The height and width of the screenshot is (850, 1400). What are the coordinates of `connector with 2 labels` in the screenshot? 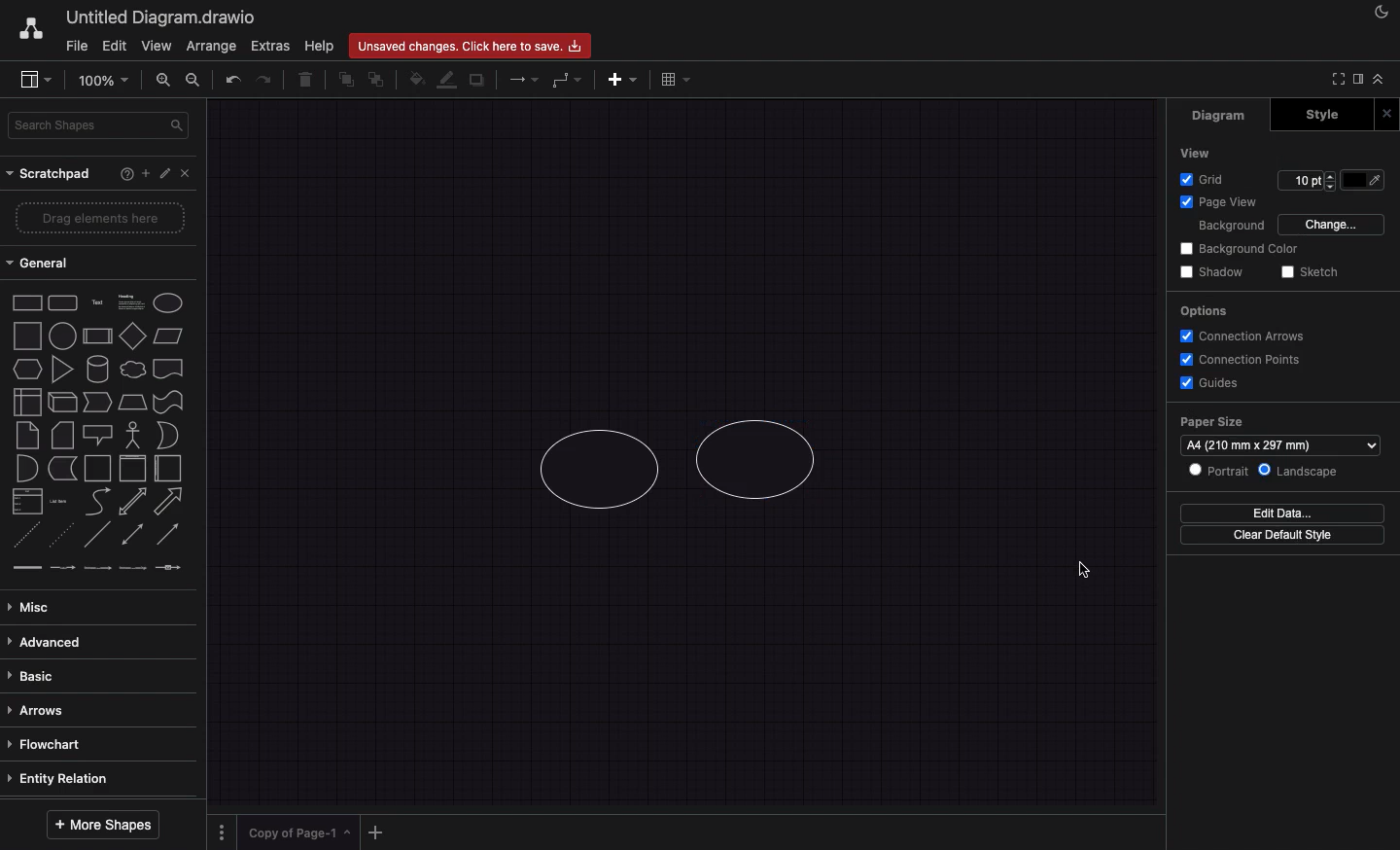 It's located at (97, 567).